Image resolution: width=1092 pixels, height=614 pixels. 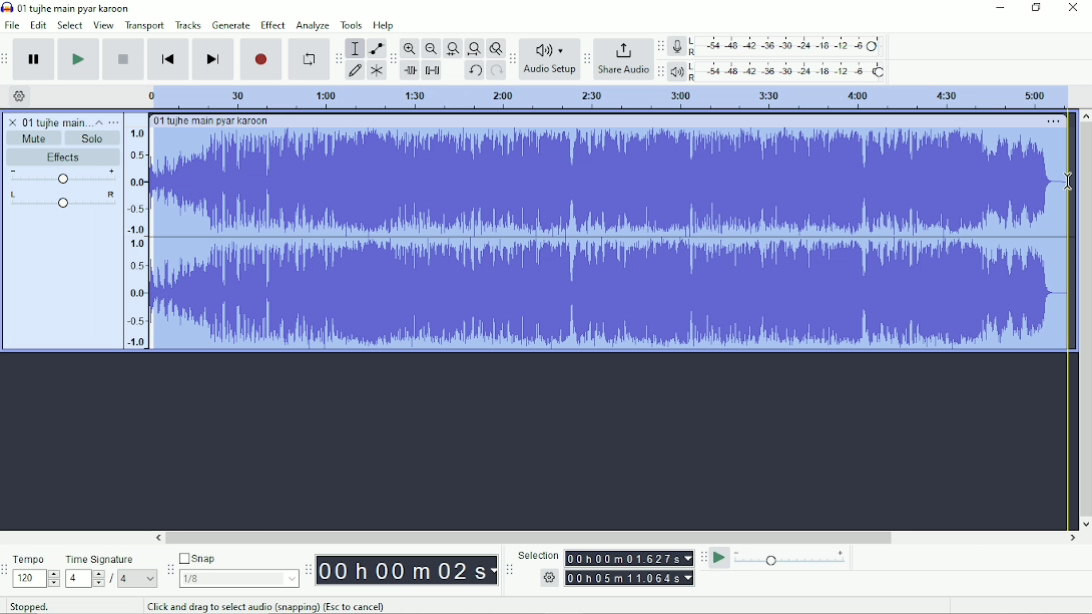 I want to click on Record meter, so click(x=776, y=46).